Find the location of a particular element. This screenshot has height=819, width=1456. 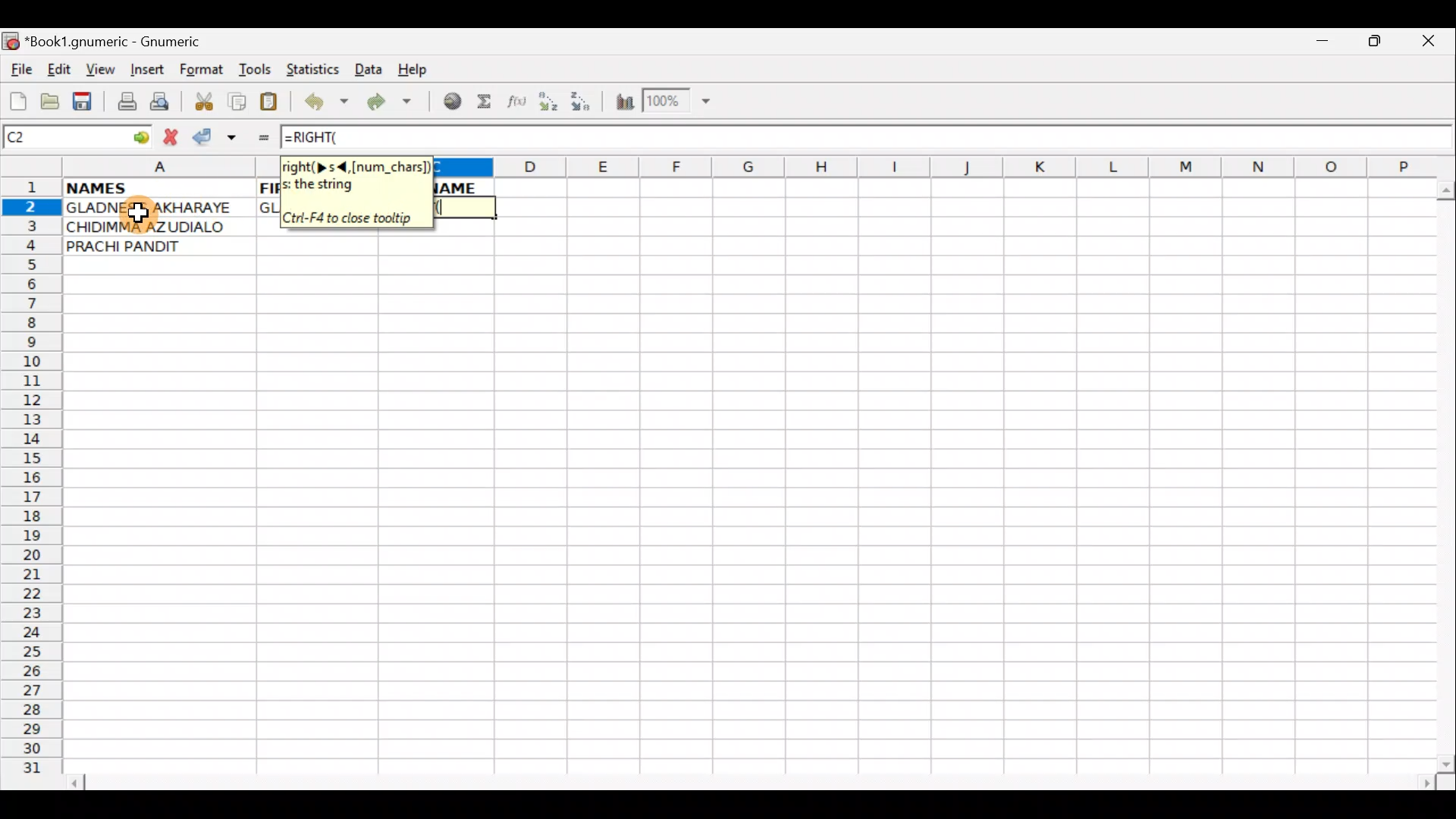

Scroll bar is located at coordinates (1442, 473).